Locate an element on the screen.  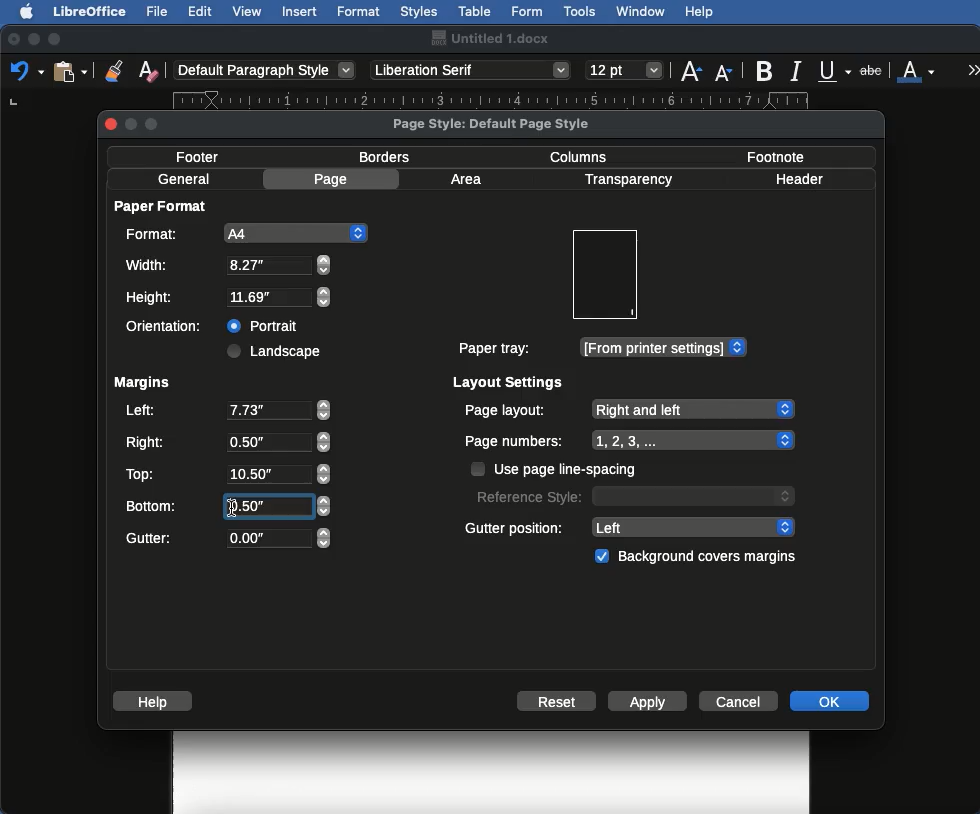
Borders is located at coordinates (386, 157).